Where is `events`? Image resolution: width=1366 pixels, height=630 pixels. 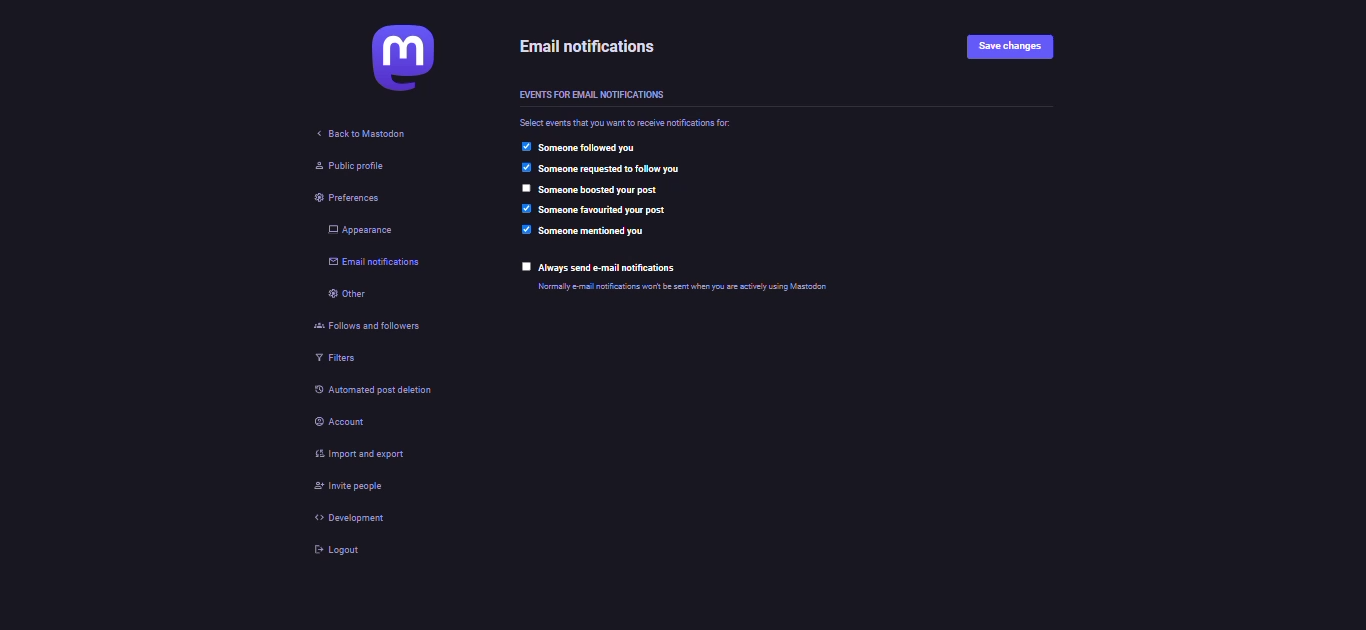 events is located at coordinates (589, 96).